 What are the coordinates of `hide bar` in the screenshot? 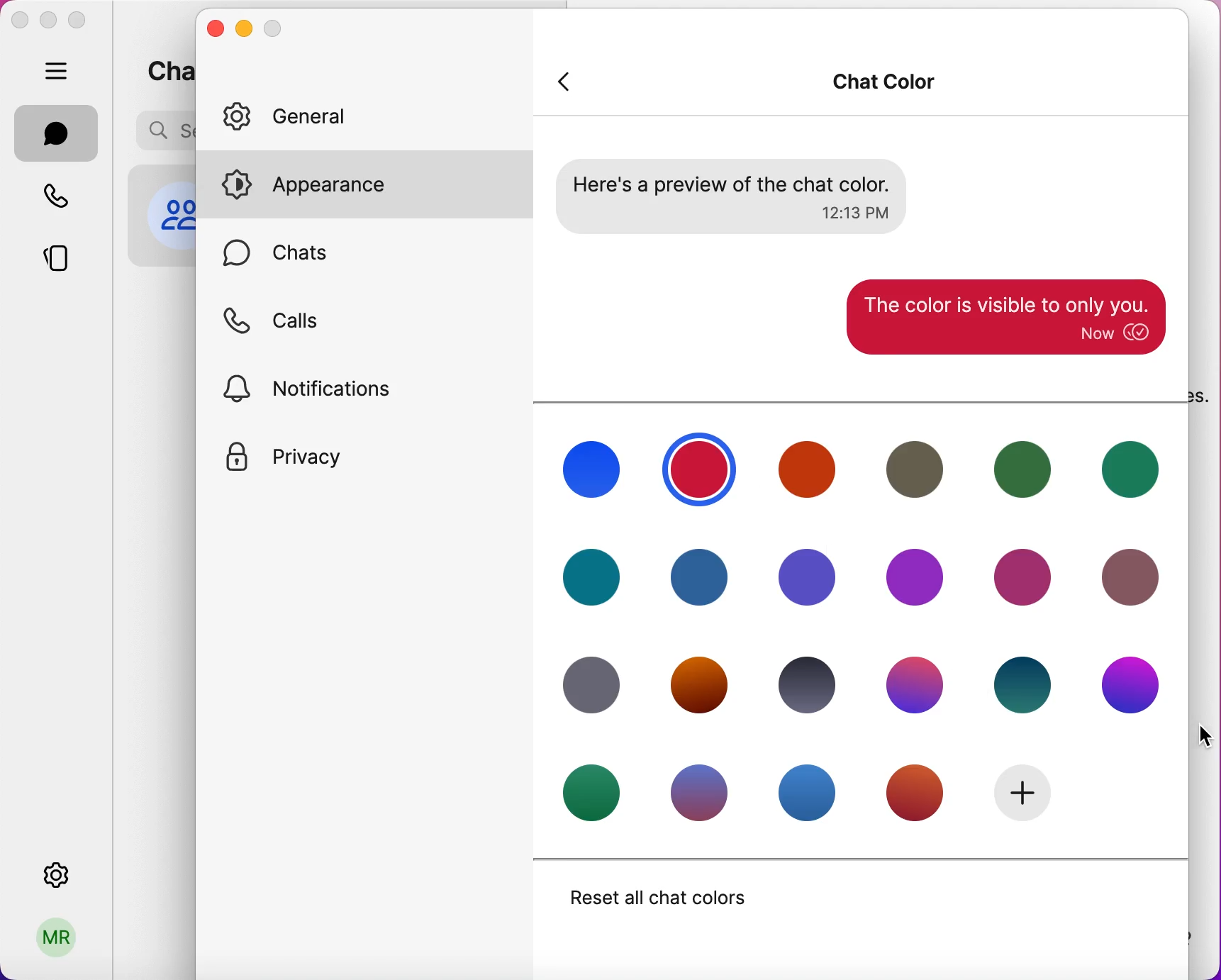 It's located at (60, 72).